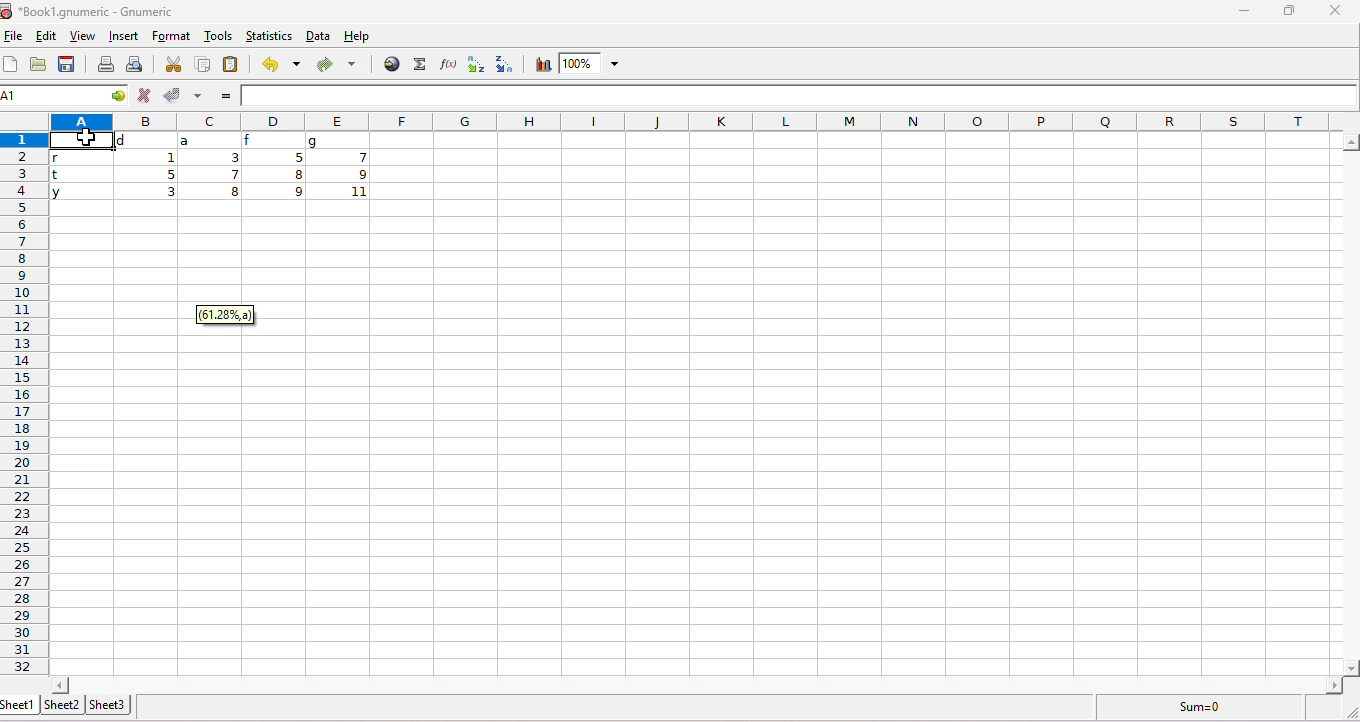 Image resolution: width=1360 pixels, height=722 pixels. What do you see at coordinates (22, 404) in the screenshot?
I see `row numbers` at bounding box center [22, 404].